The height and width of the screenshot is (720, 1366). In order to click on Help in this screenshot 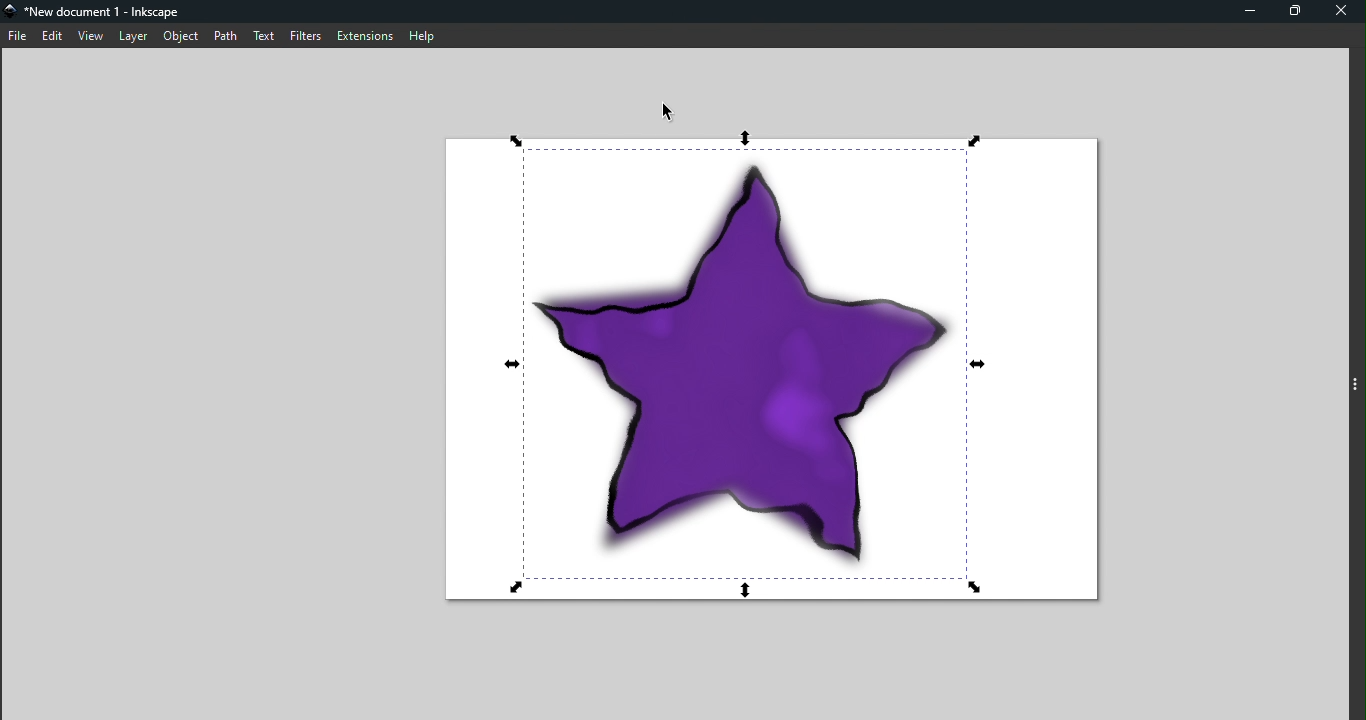, I will do `click(421, 34)`.